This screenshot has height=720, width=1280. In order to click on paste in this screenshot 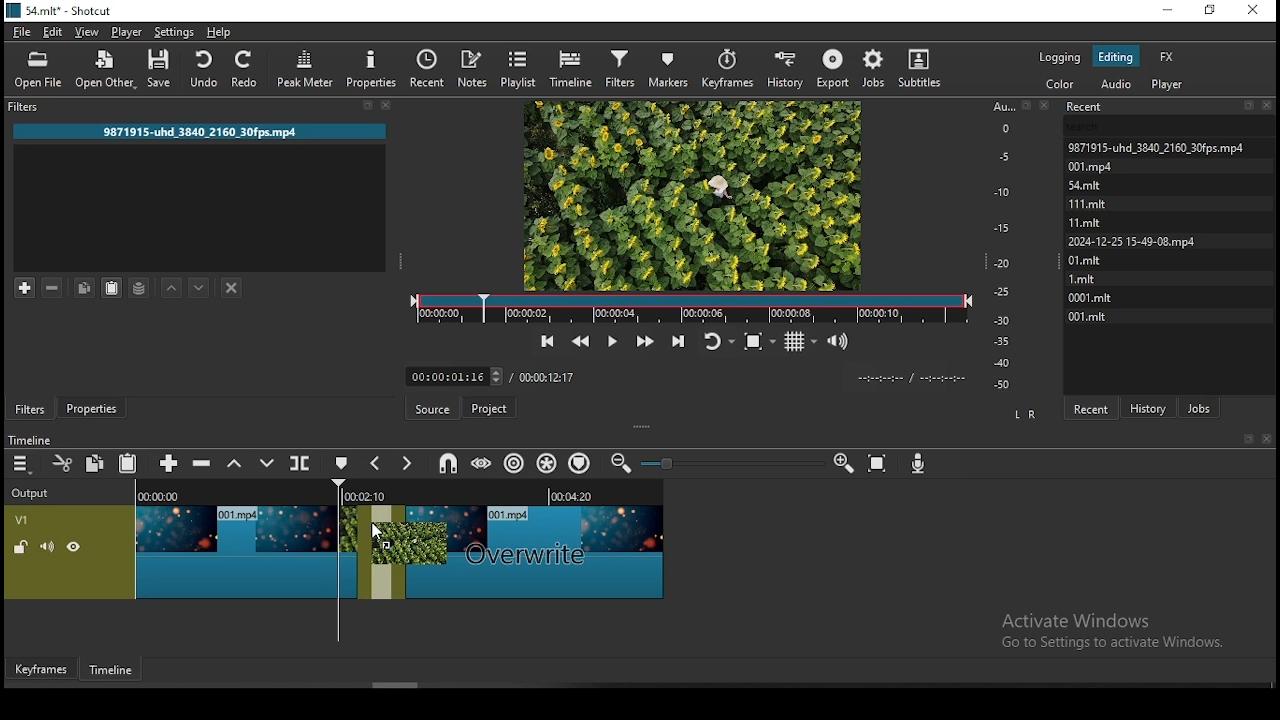, I will do `click(111, 288)`.